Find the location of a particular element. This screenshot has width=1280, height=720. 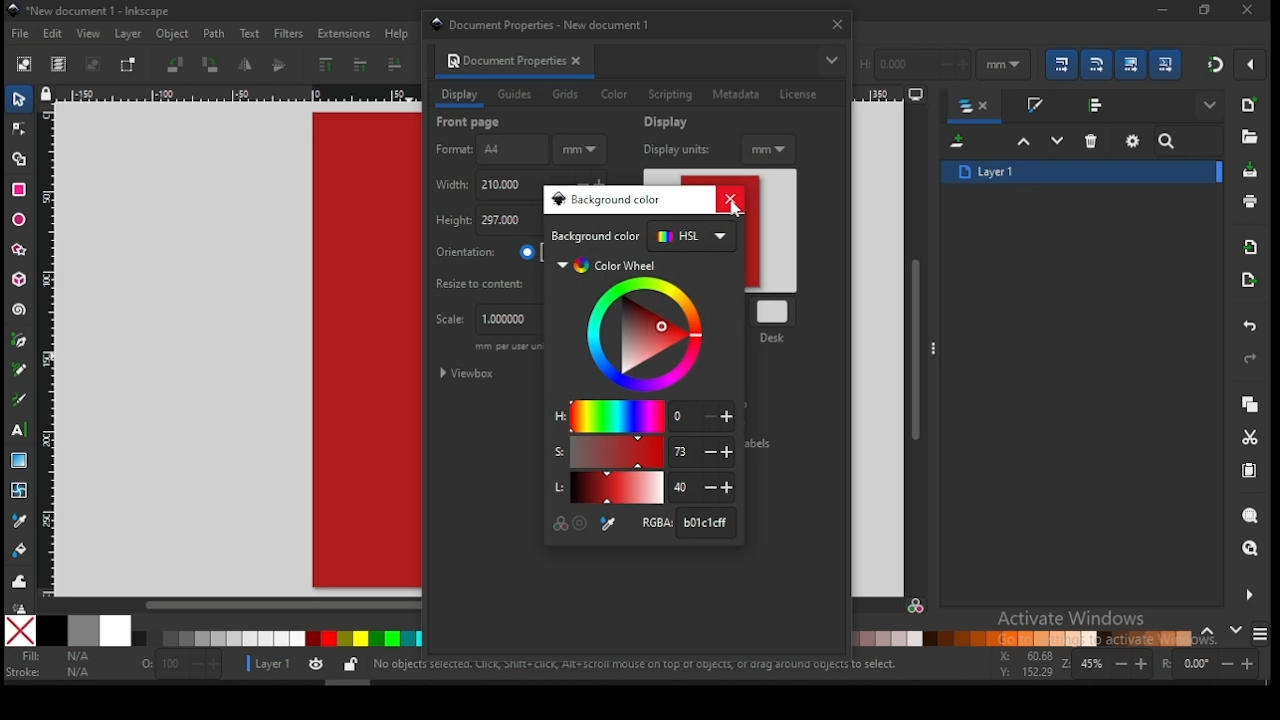

page format is located at coordinates (489, 150).